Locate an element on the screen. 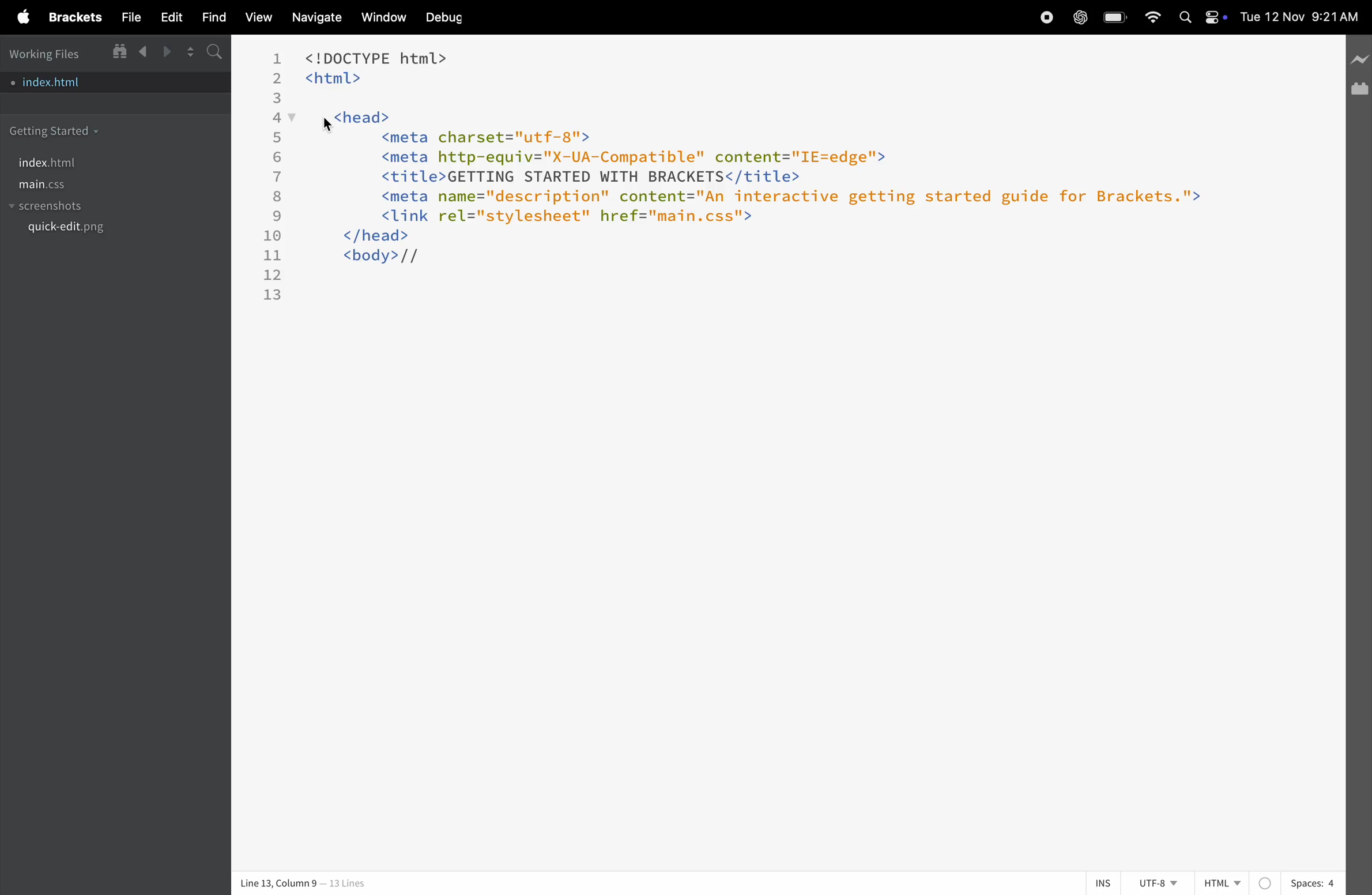 The height and width of the screenshot is (895, 1372). index.html is located at coordinates (66, 160).